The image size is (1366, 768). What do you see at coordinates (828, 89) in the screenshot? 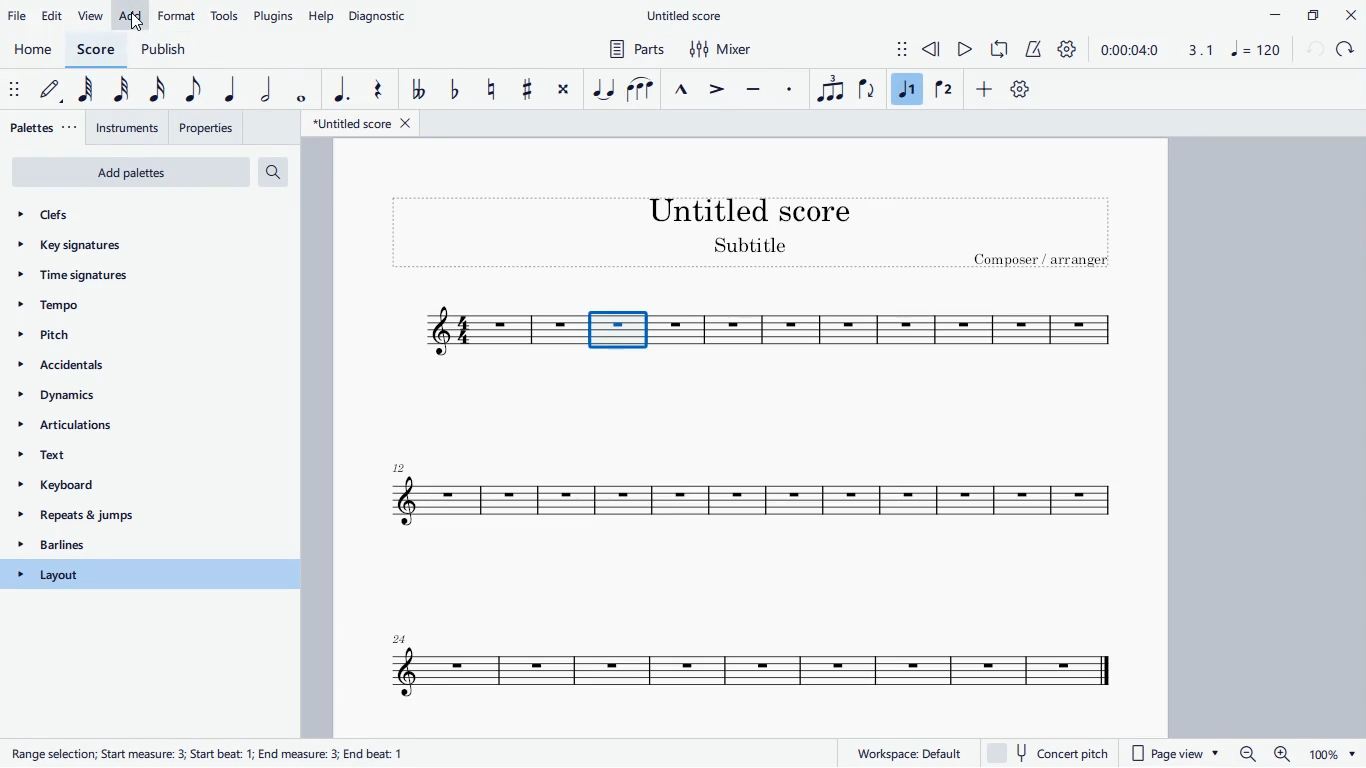
I see `tuplet` at bounding box center [828, 89].